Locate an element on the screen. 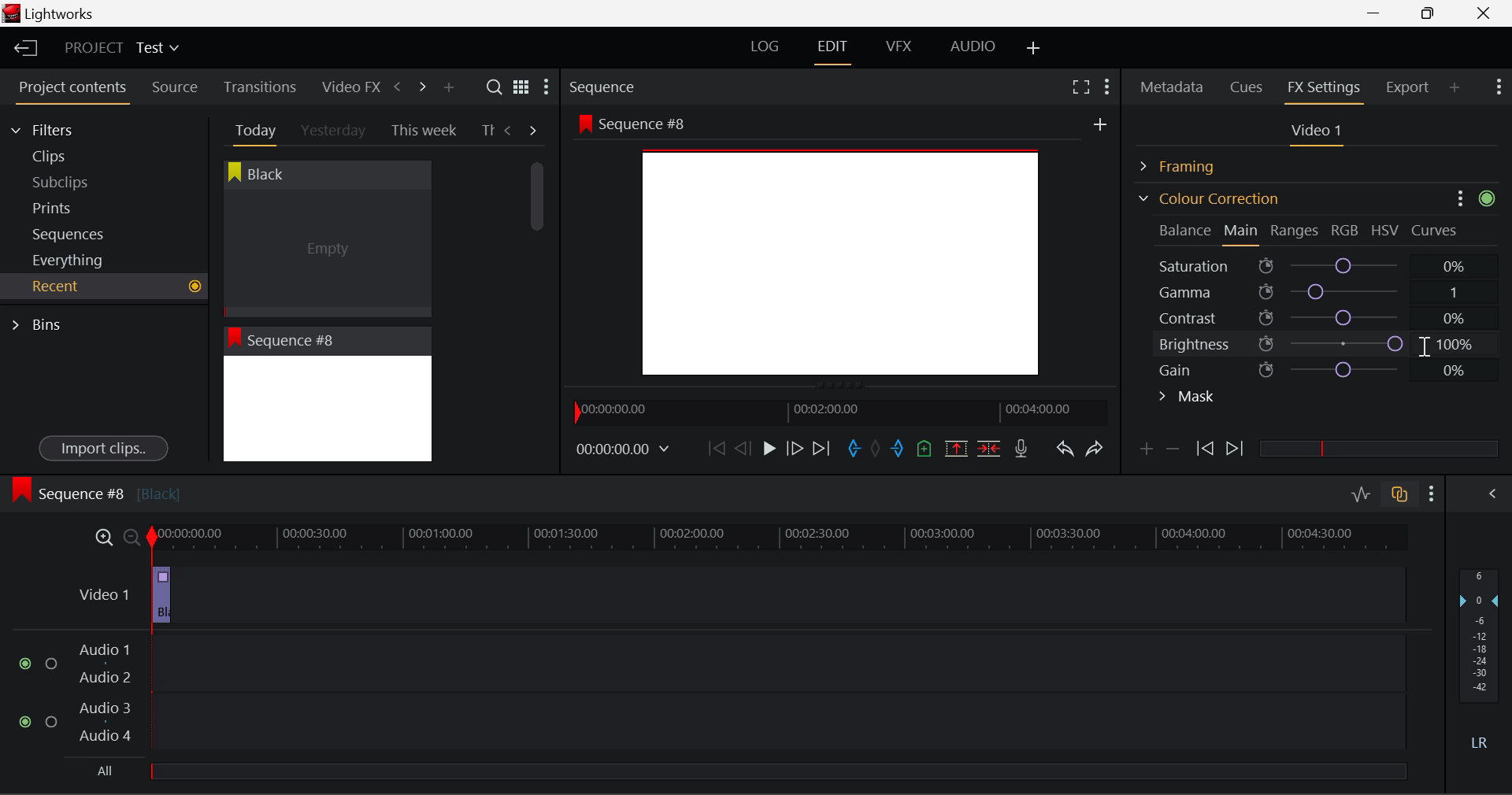 The width and height of the screenshot is (1512, 795). Toggle audio editing levels is located at coordinates (1362, 492).